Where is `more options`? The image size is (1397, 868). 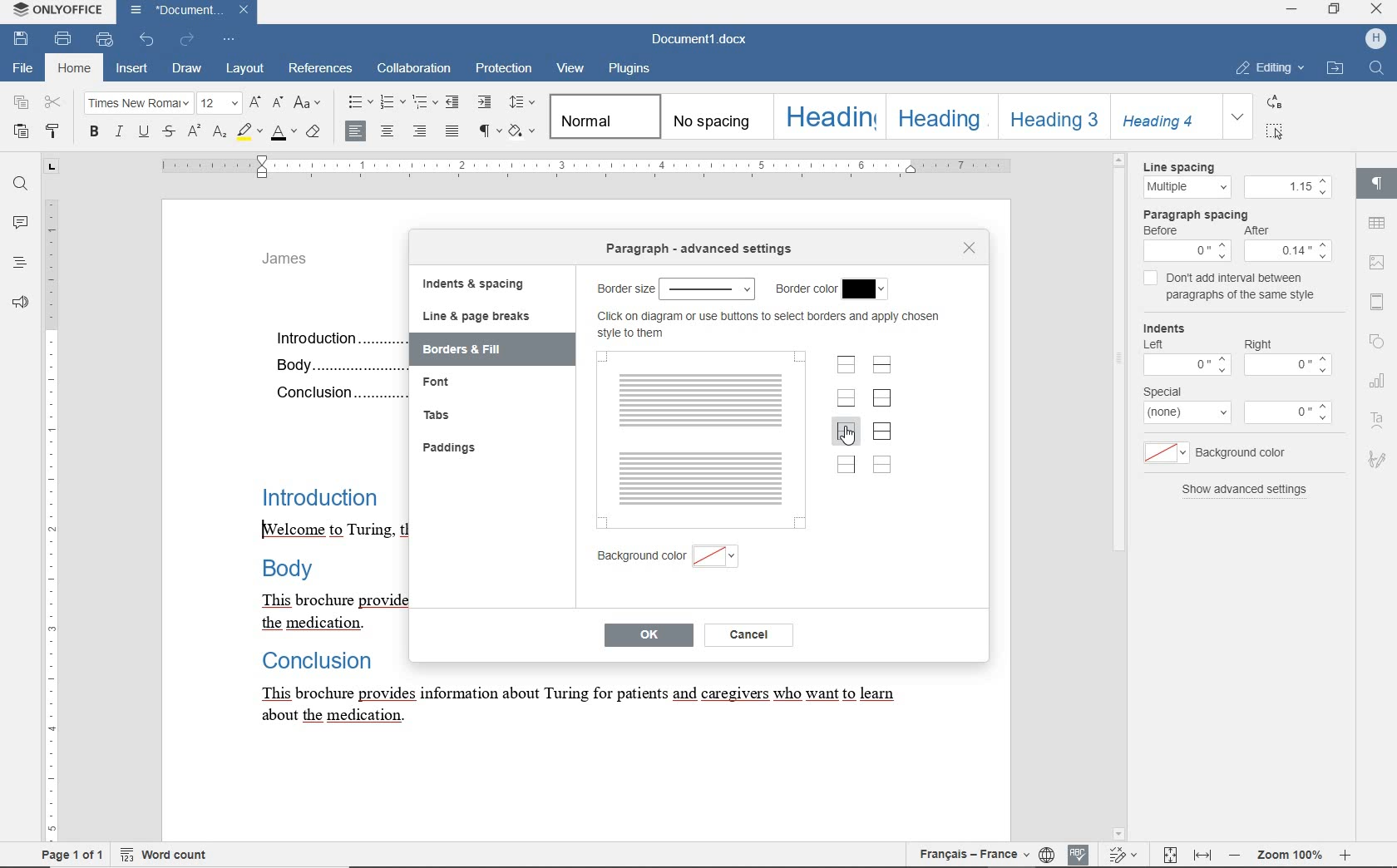
more options is located at coordinates (1189, 413).